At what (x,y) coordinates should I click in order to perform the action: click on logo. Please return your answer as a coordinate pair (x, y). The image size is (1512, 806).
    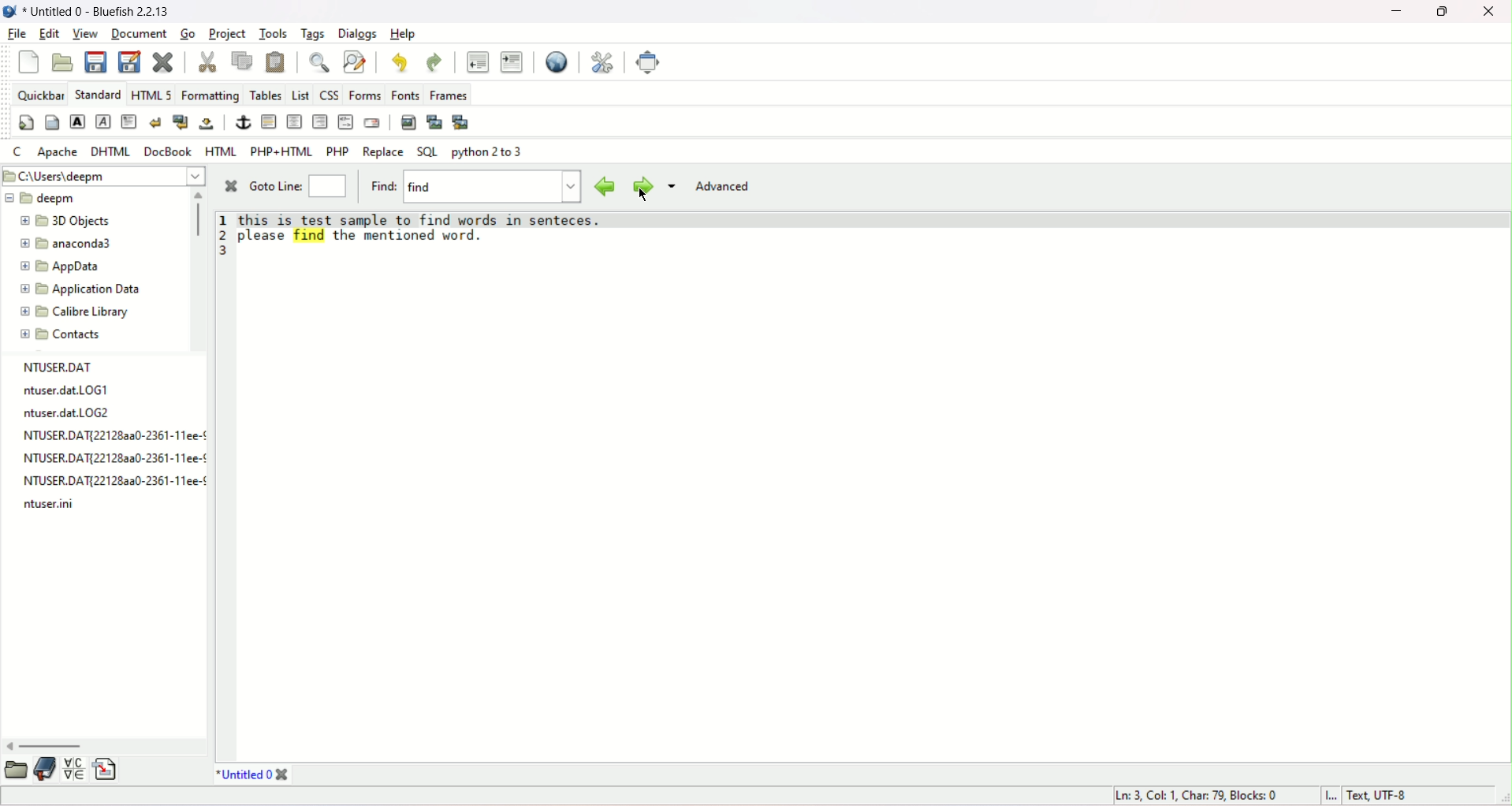
    Looking at the image, I should click on (9, 10).